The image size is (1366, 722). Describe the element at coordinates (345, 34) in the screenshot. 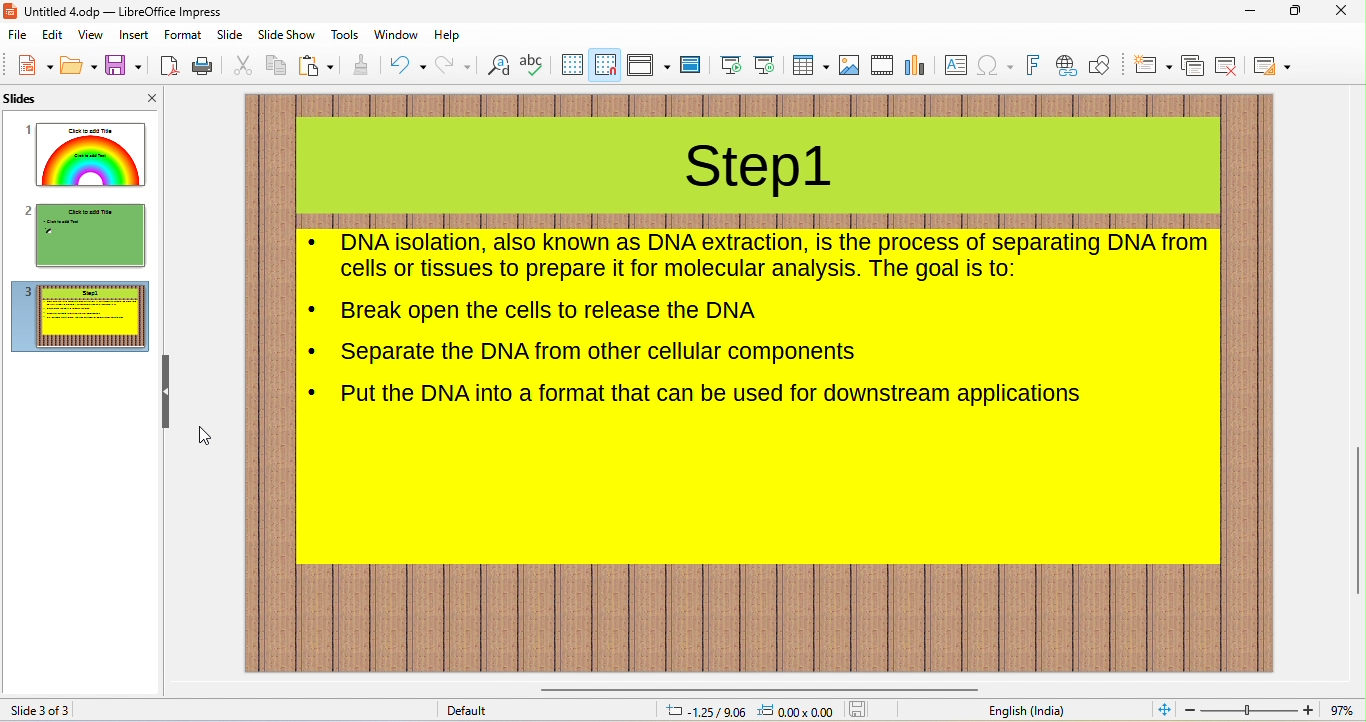

I see `tools` at that location.